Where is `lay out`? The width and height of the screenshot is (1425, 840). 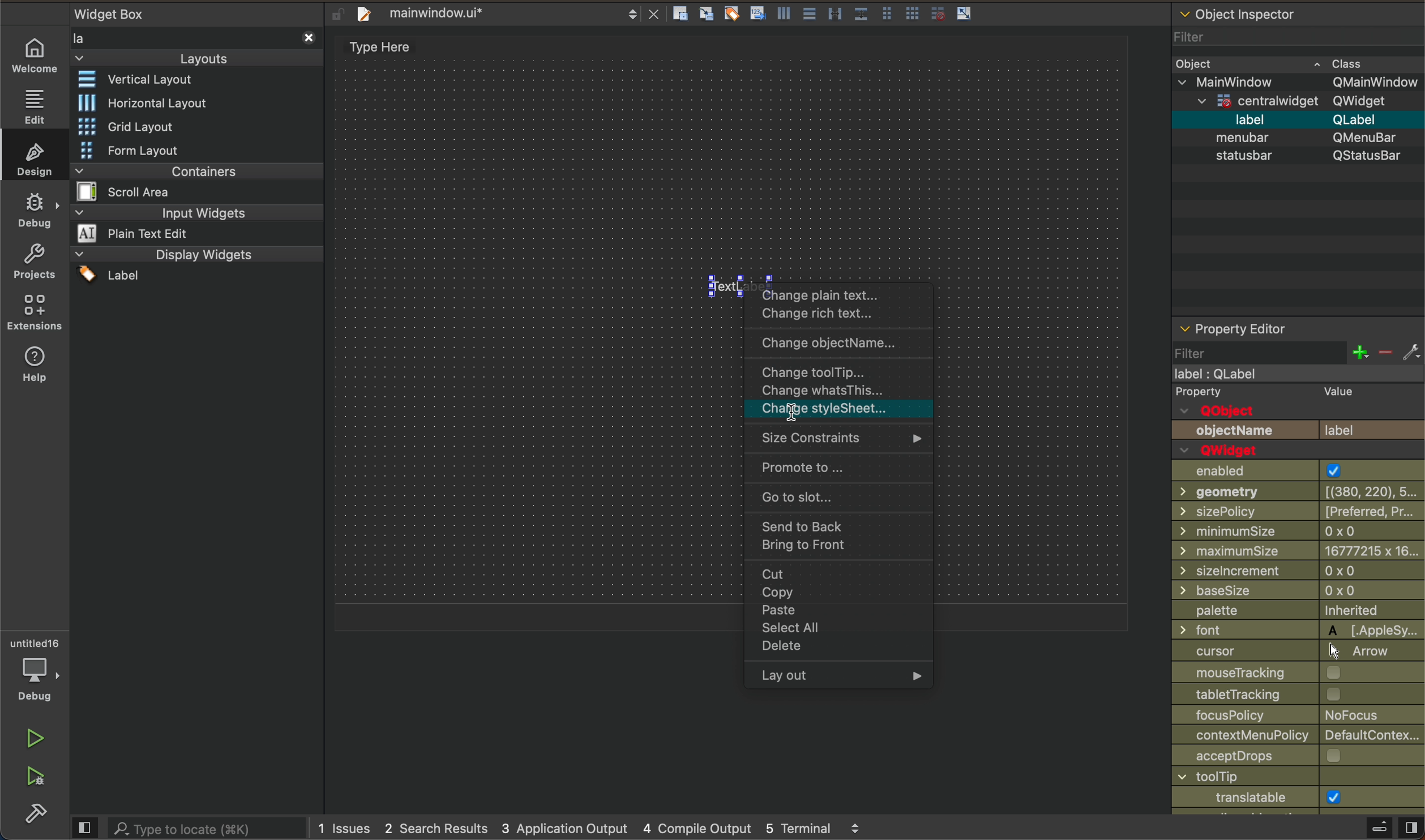
lay out is located at coordinates (842, 676).